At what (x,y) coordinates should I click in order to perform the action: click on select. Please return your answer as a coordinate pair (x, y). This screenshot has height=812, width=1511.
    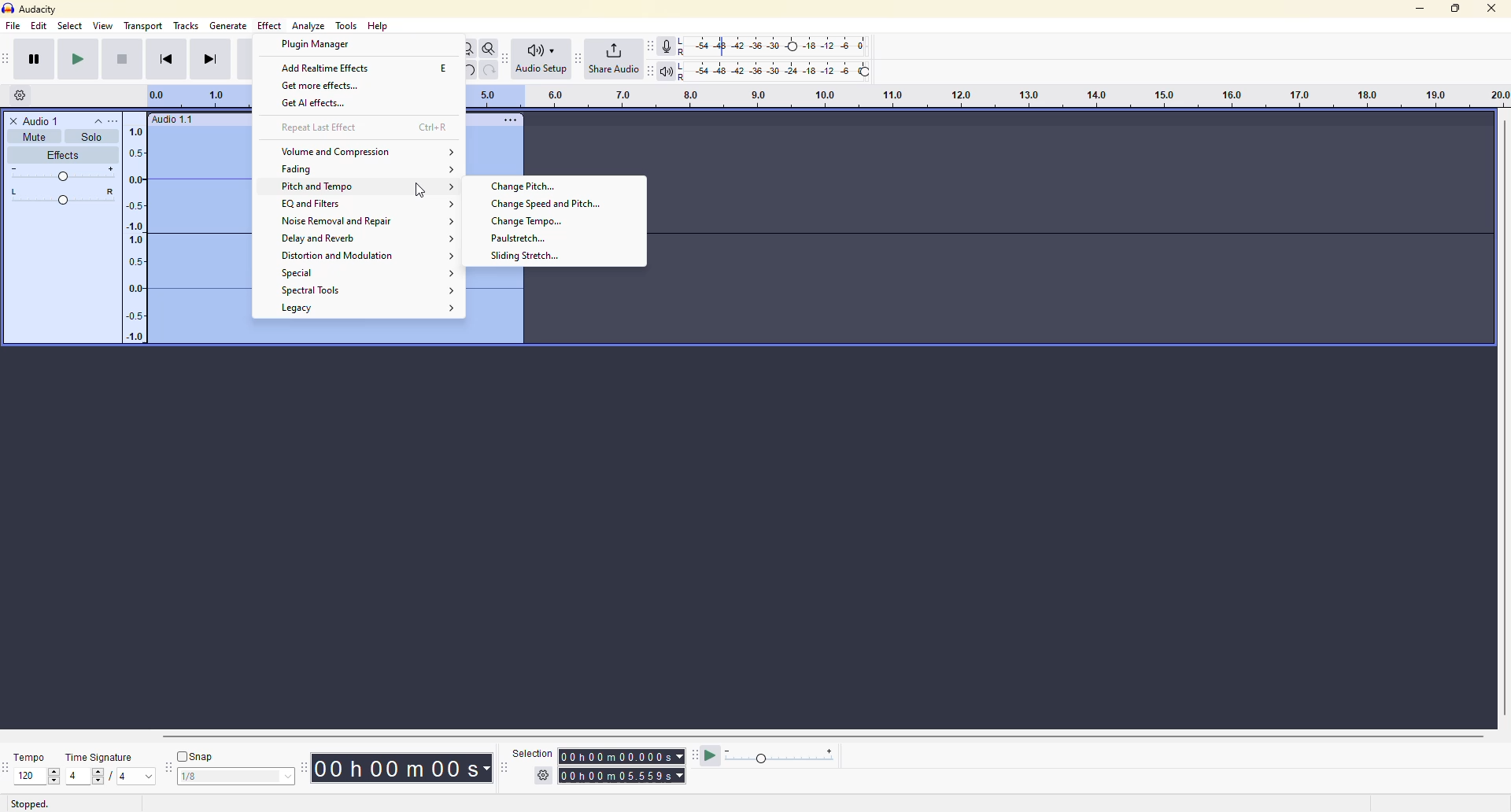
    Looking at the image, I should click on (284, 777).